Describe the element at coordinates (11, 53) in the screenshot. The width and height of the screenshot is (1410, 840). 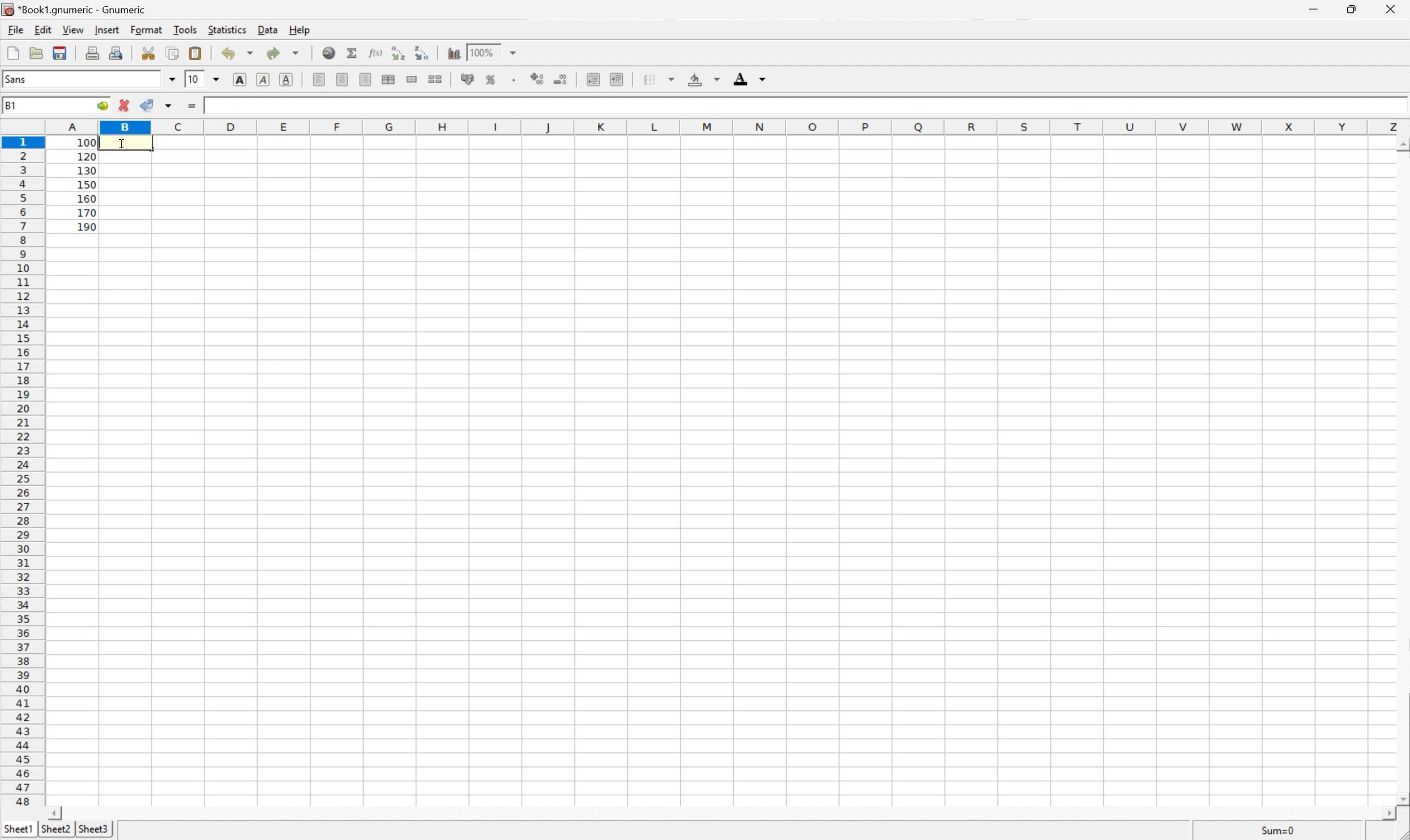
I see `Create a new workbook` at that location.